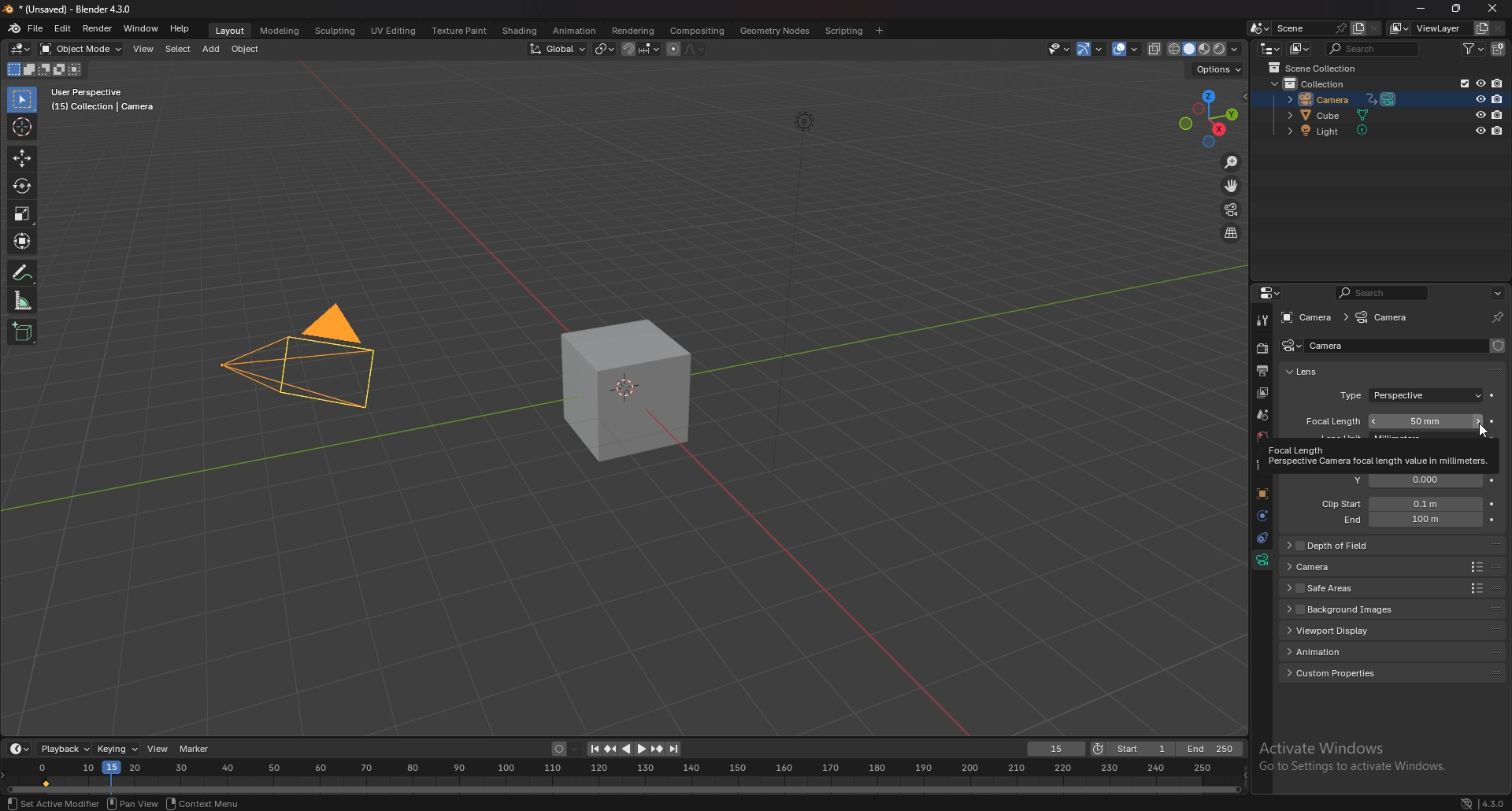  I want to click on move, so click(1231, 185).